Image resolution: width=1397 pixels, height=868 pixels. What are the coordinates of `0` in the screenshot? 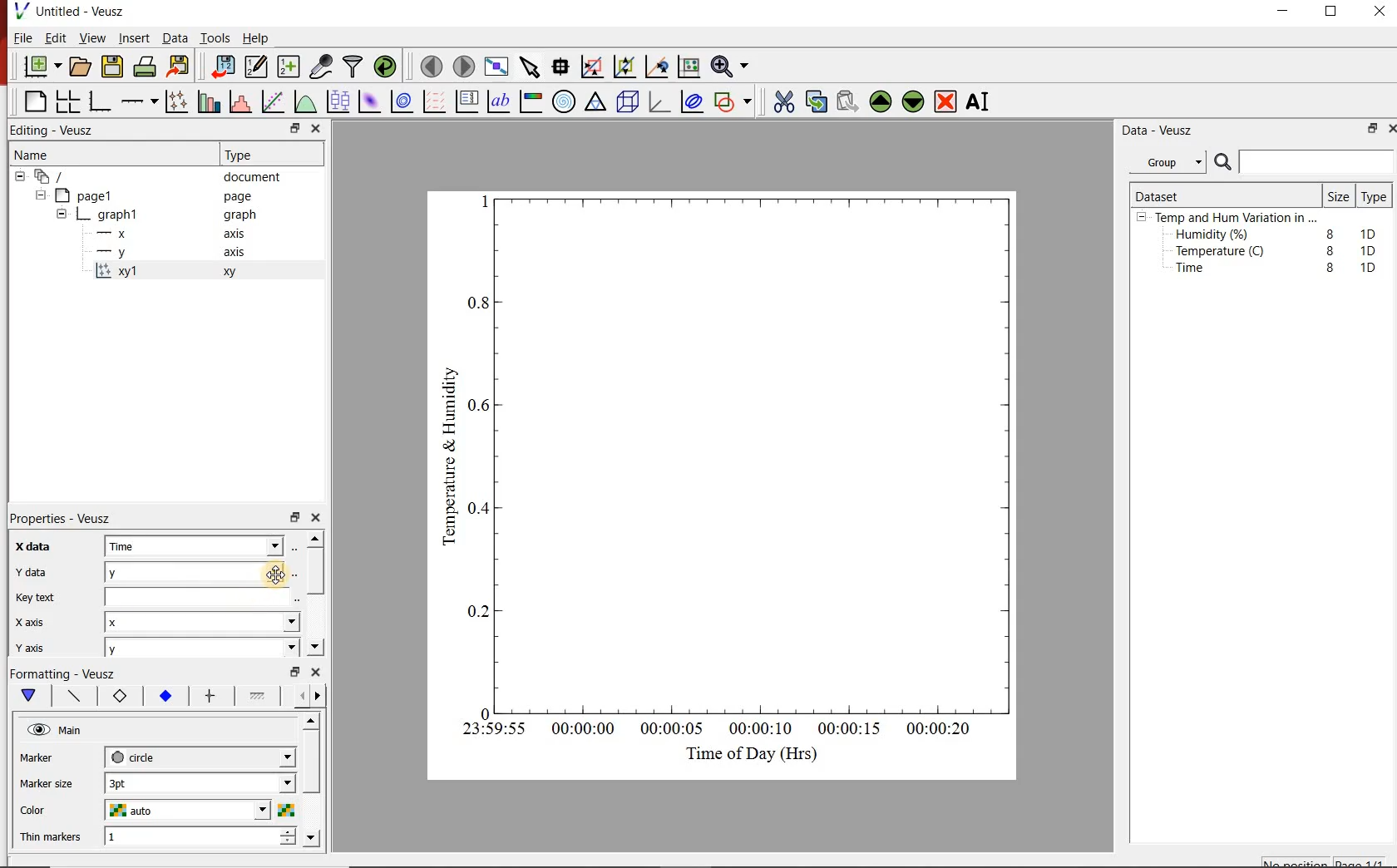 It's located at (479, 711).